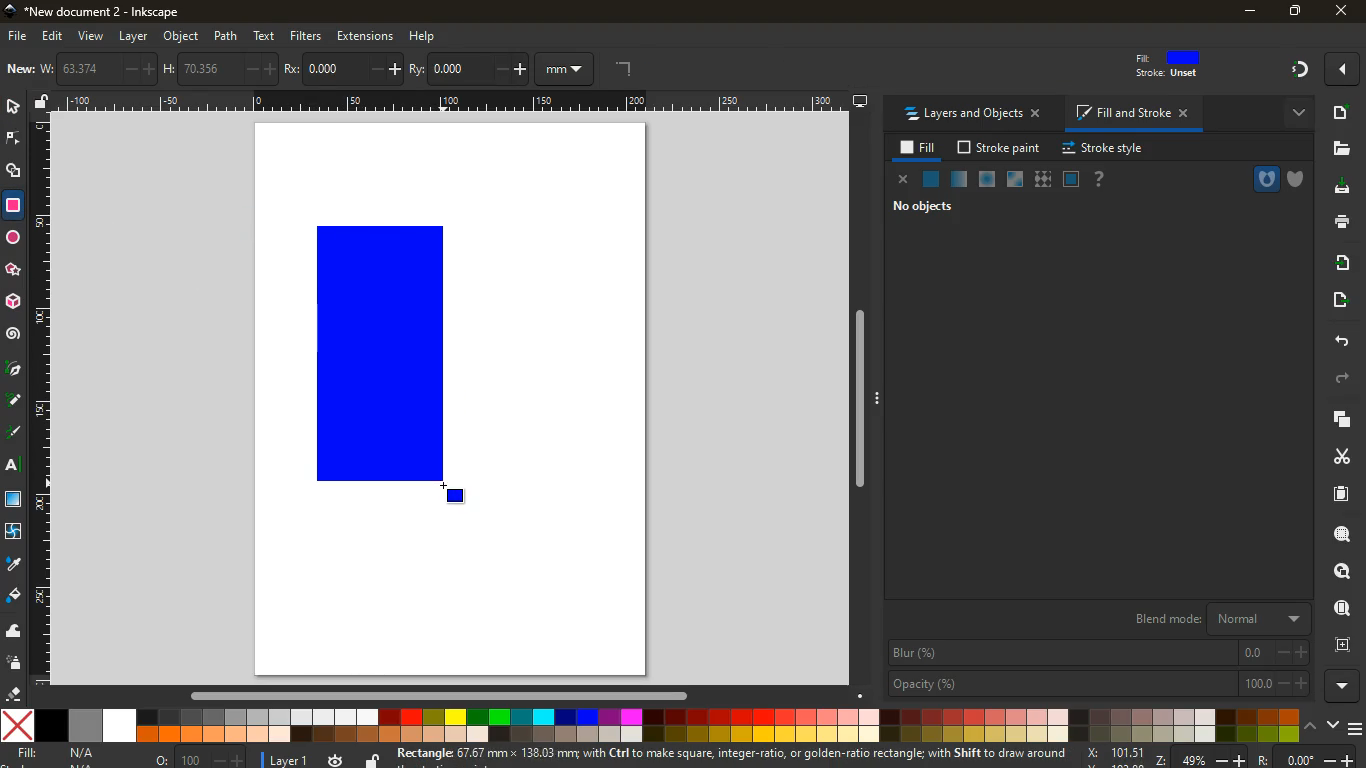 The width and height of the screenshot is (1366, 768). Describe the element at coordinates (13, 693) in the screenshot. I see `erase` at that location.